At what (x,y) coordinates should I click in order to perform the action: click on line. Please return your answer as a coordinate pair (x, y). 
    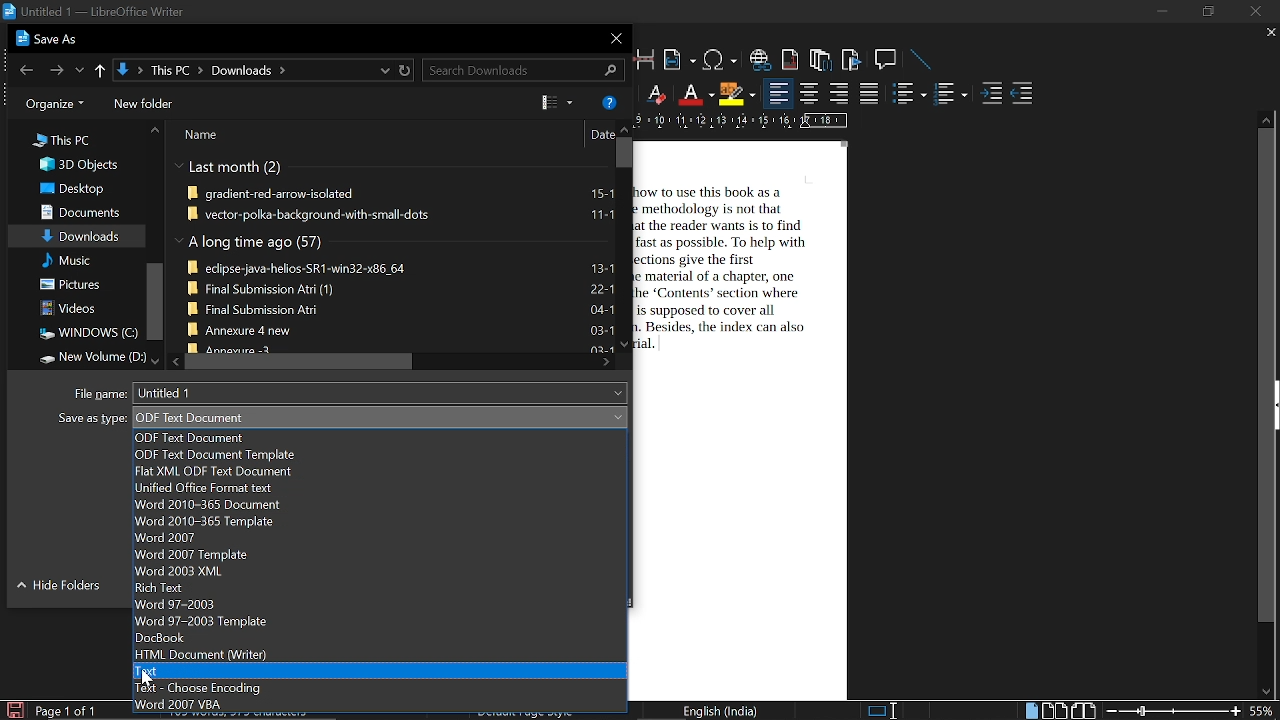
    Looking at the image, I should click on (922, 60).